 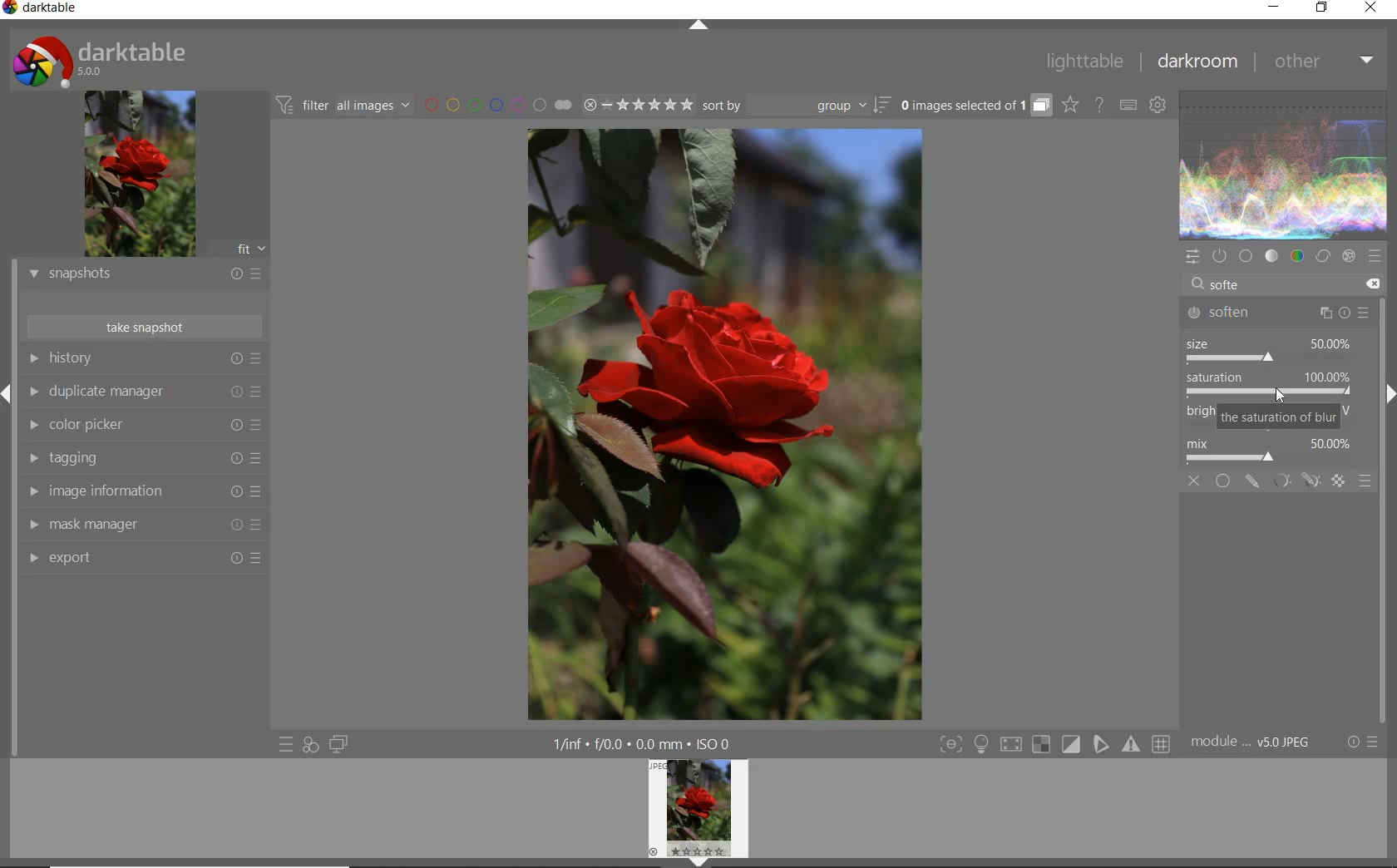 What do you see at coordinates (1282, 165) in the screenshot?
I see `waveform` at bounding box center [1282, 165].